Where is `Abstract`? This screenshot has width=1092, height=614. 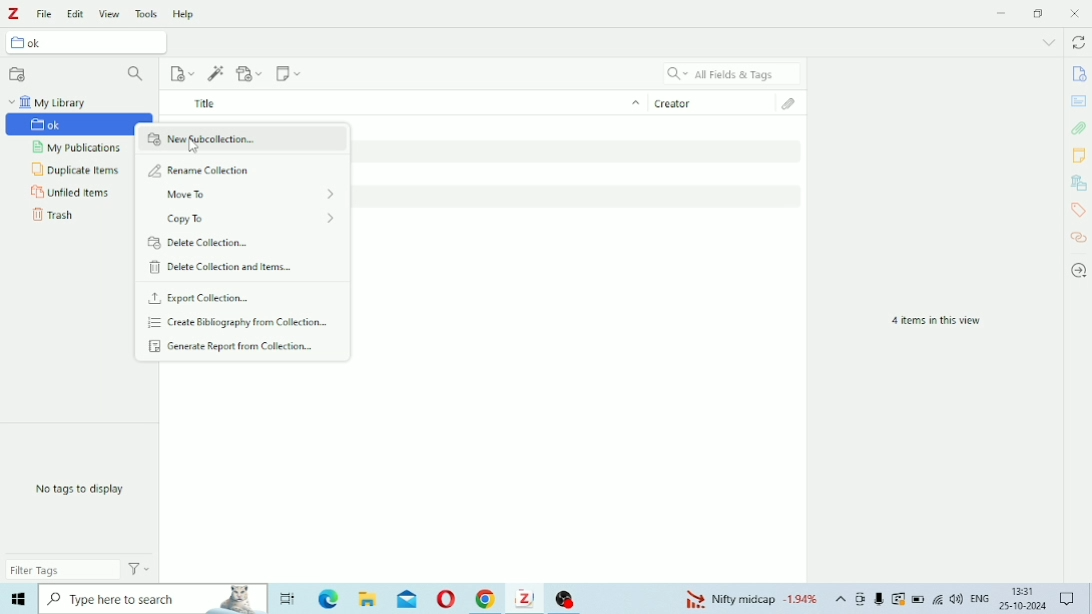
Abstract is located at coordinates (1078, 101).